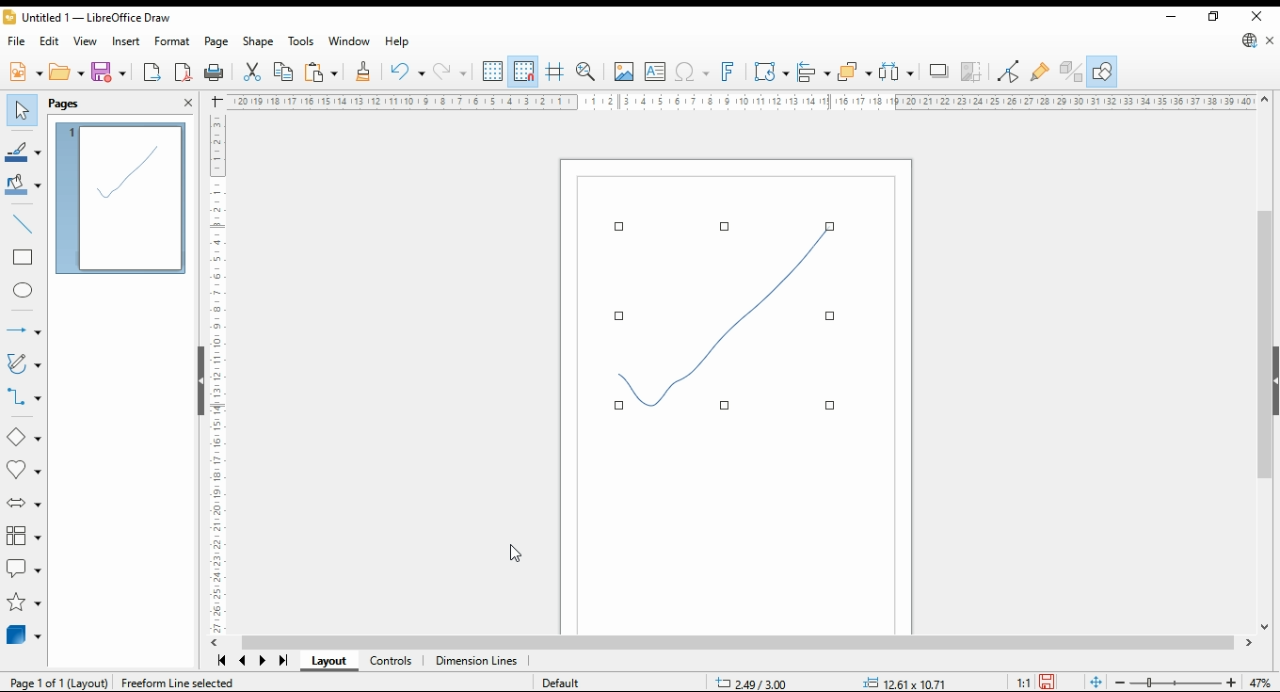 This screenshot has width=1280, height=692. What do you see at coordinates (1041, 72) in the screenshot?
I see `show gluepoint function` at bounding box center [1041, 72].